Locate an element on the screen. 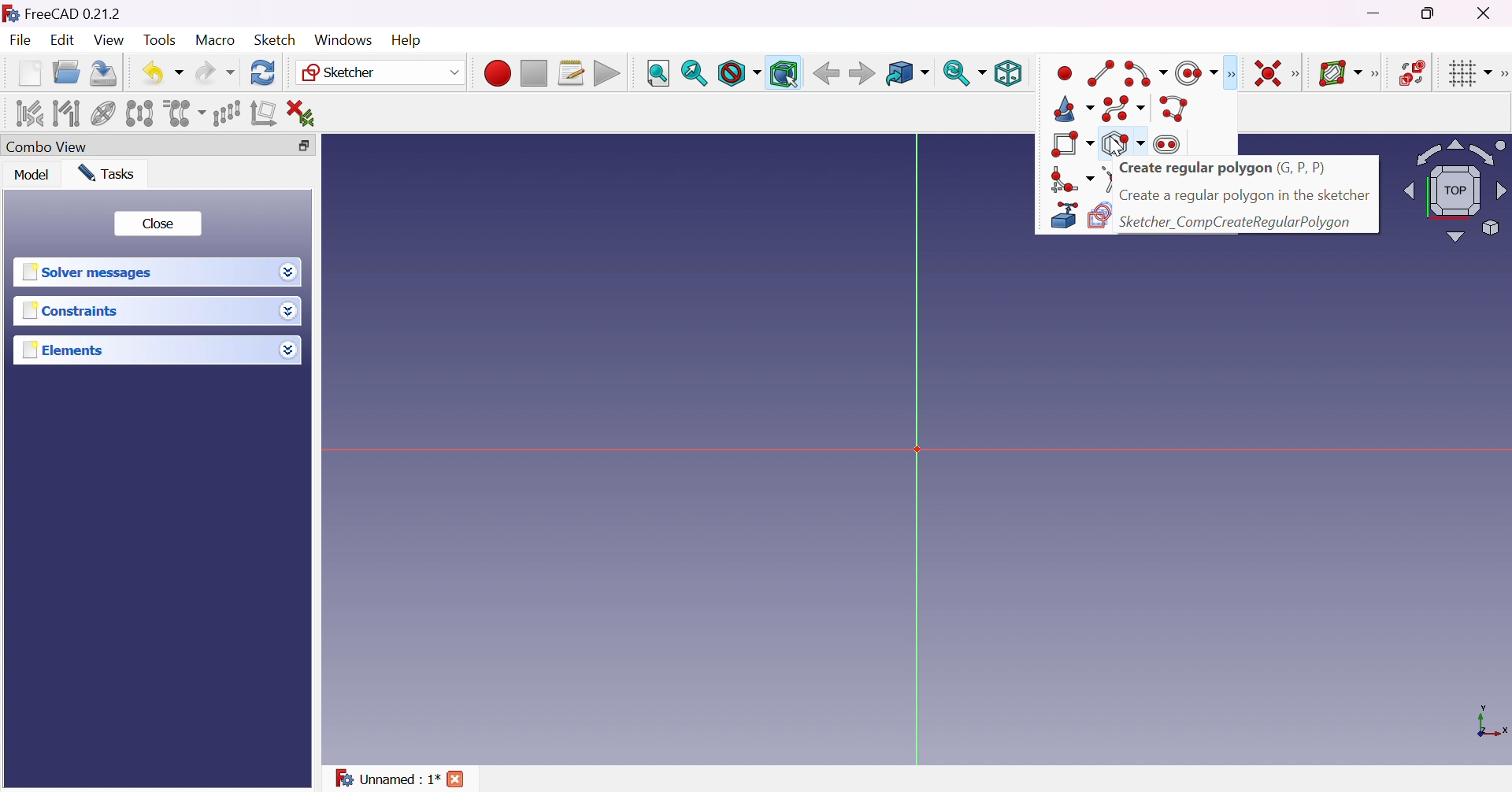  windows is located at coordinates (343, 40).